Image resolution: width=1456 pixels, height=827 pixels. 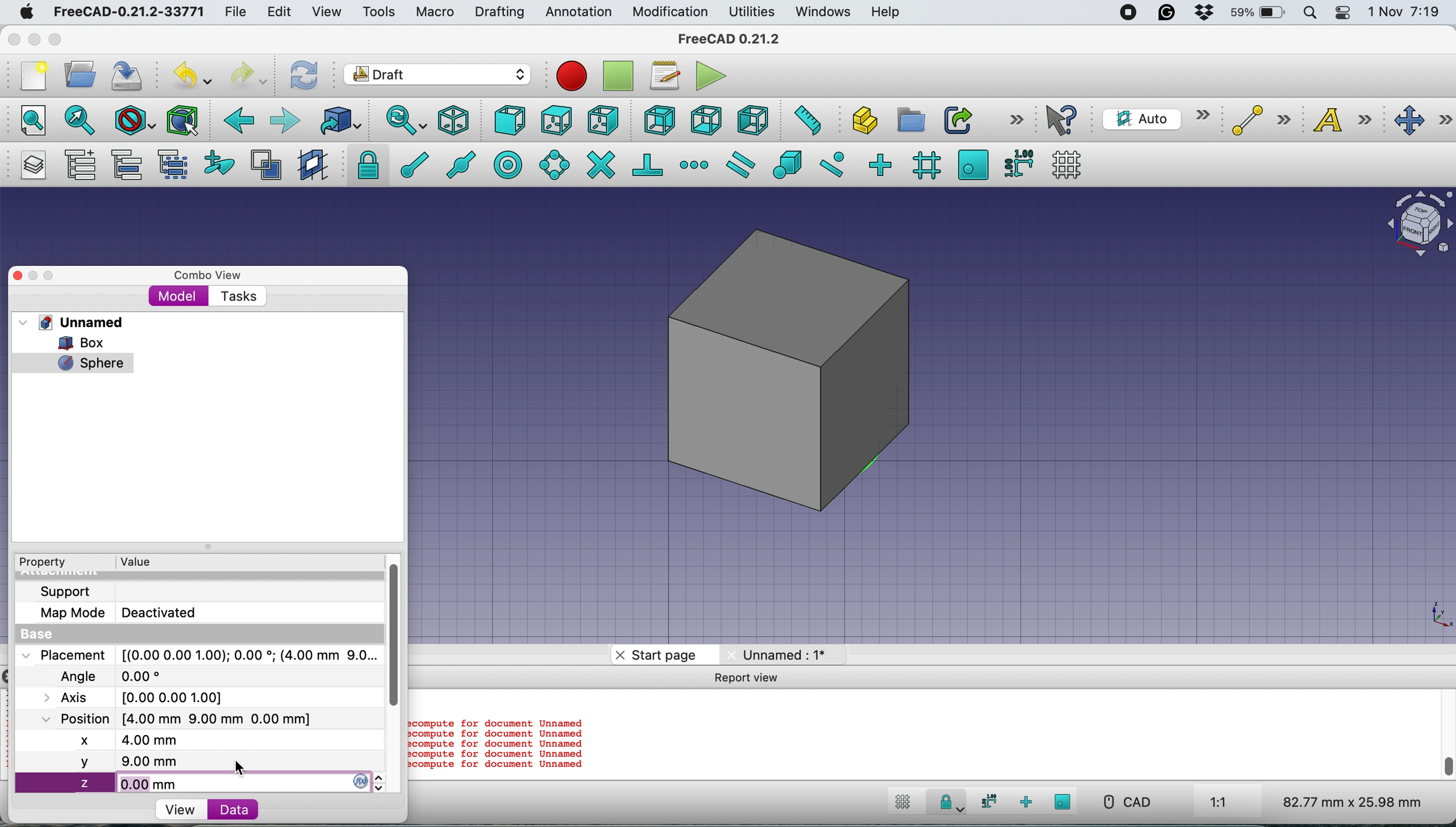 I want to click on view, so click(x=331, y=12).